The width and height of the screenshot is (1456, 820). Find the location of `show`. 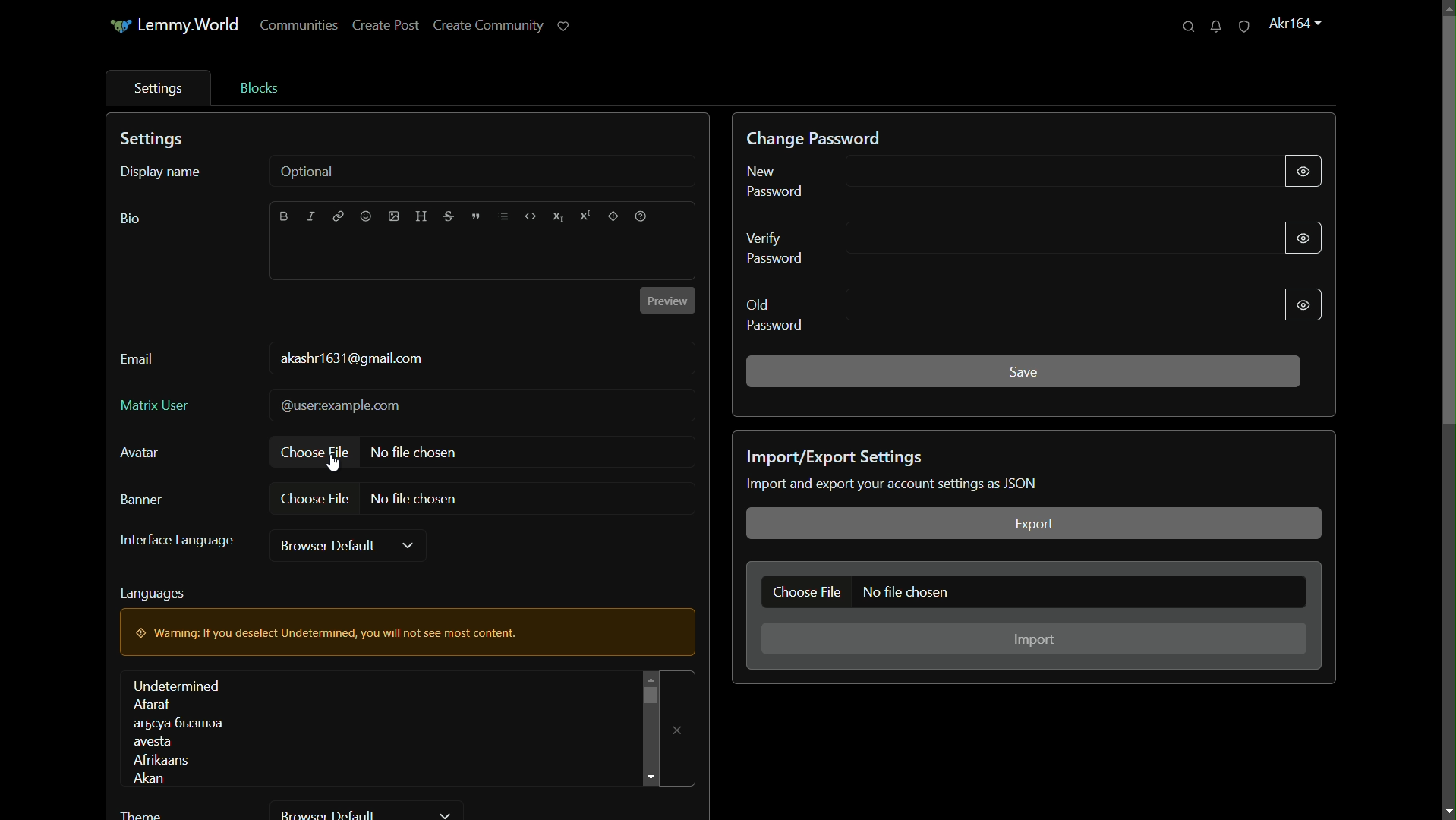

show is located at coordinates (1301, 304).